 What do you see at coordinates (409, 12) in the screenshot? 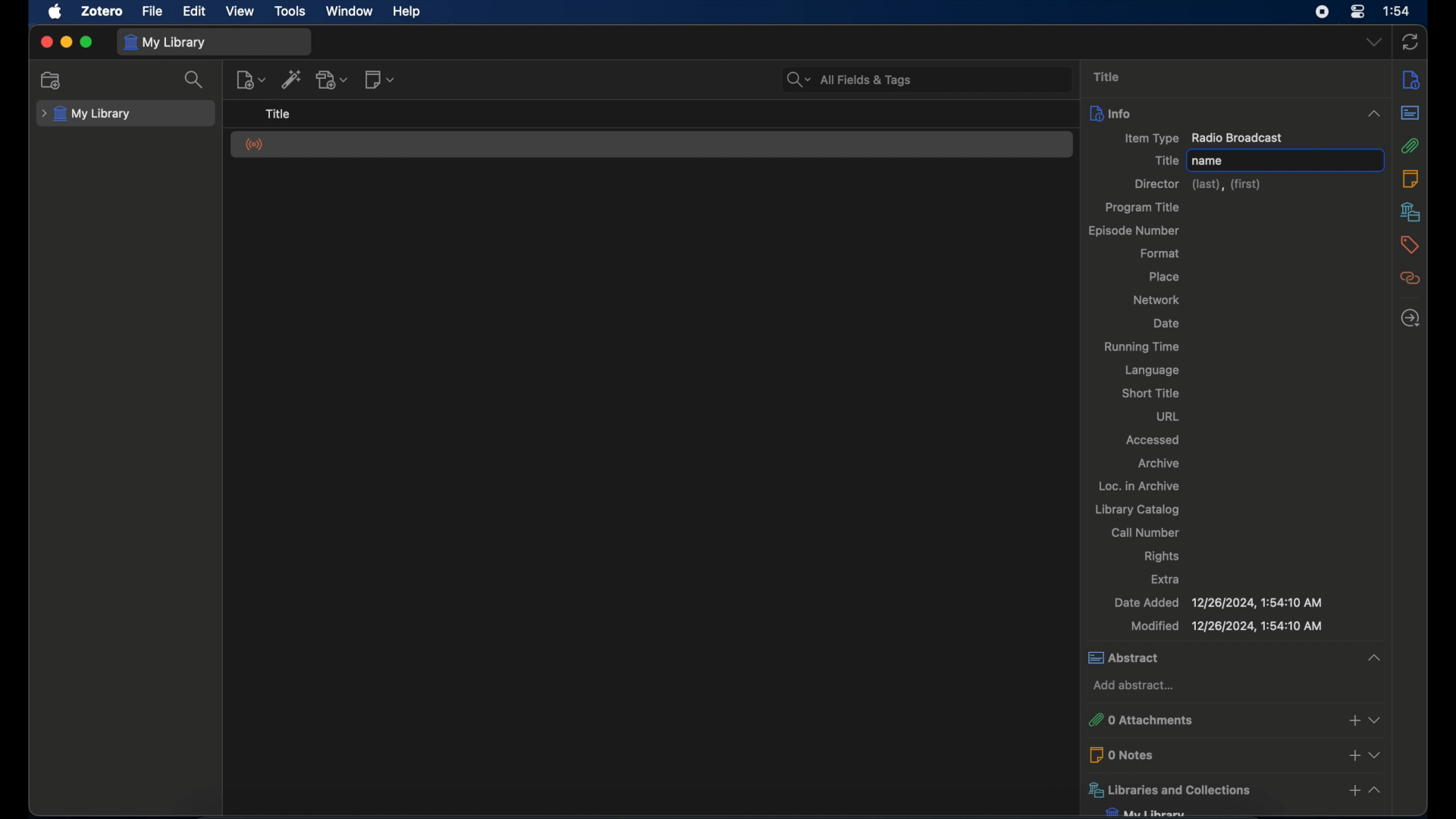
I see `help` at bounding box center [409, 12].